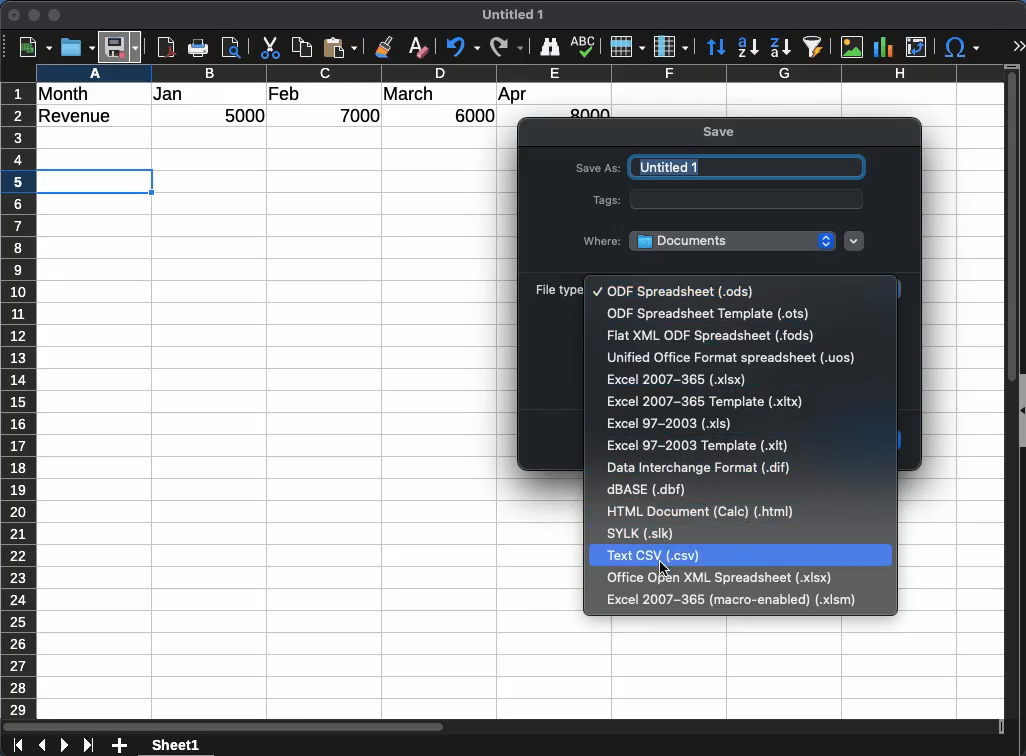  What do you see at coordinates (303, 48) in the screenshot?
I see `copy` at bounding box center [303, 48].